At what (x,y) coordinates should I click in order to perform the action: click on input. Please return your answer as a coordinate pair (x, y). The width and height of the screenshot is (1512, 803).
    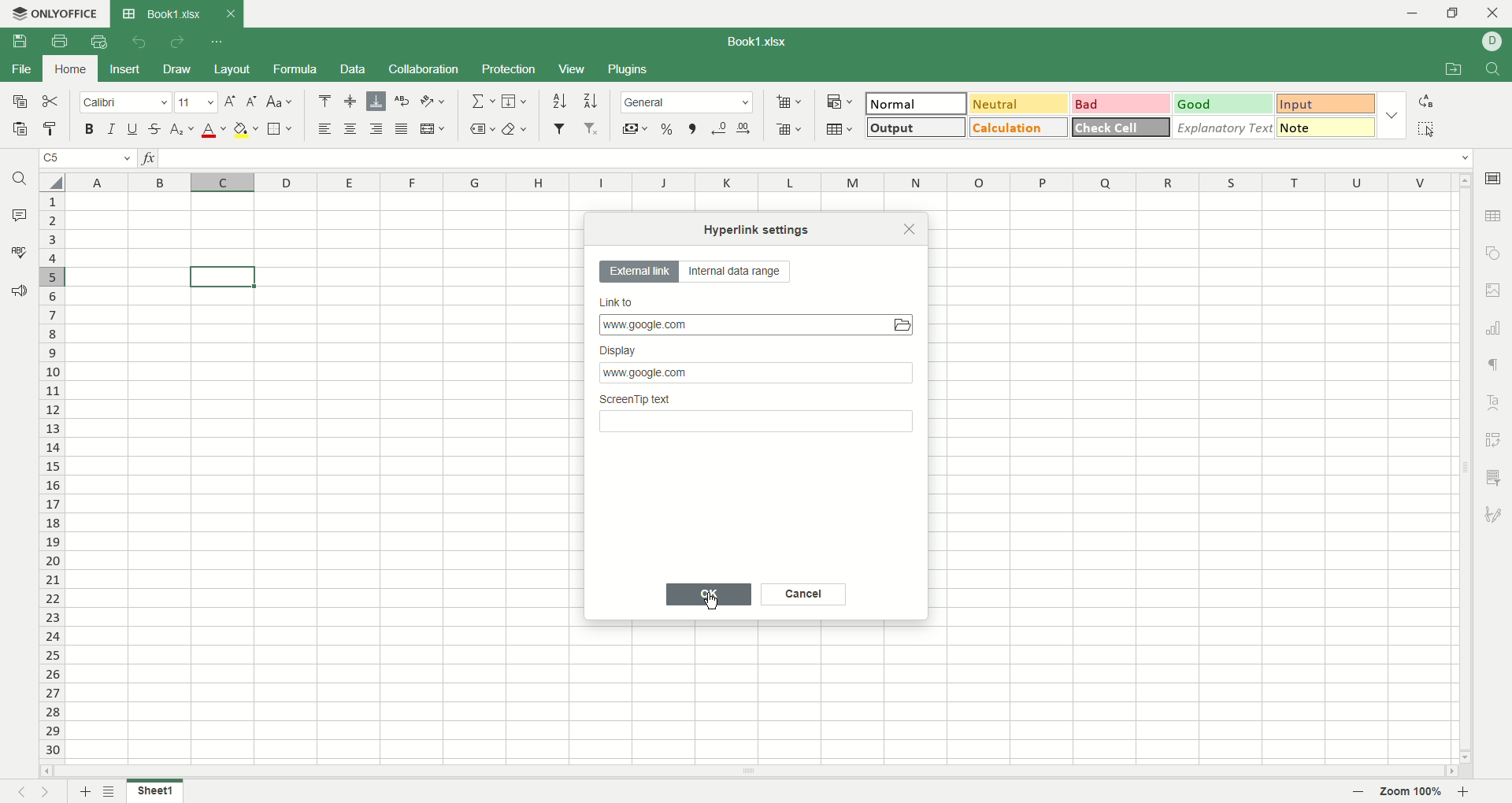
    Looking at the image, I should click on (1326, 105).